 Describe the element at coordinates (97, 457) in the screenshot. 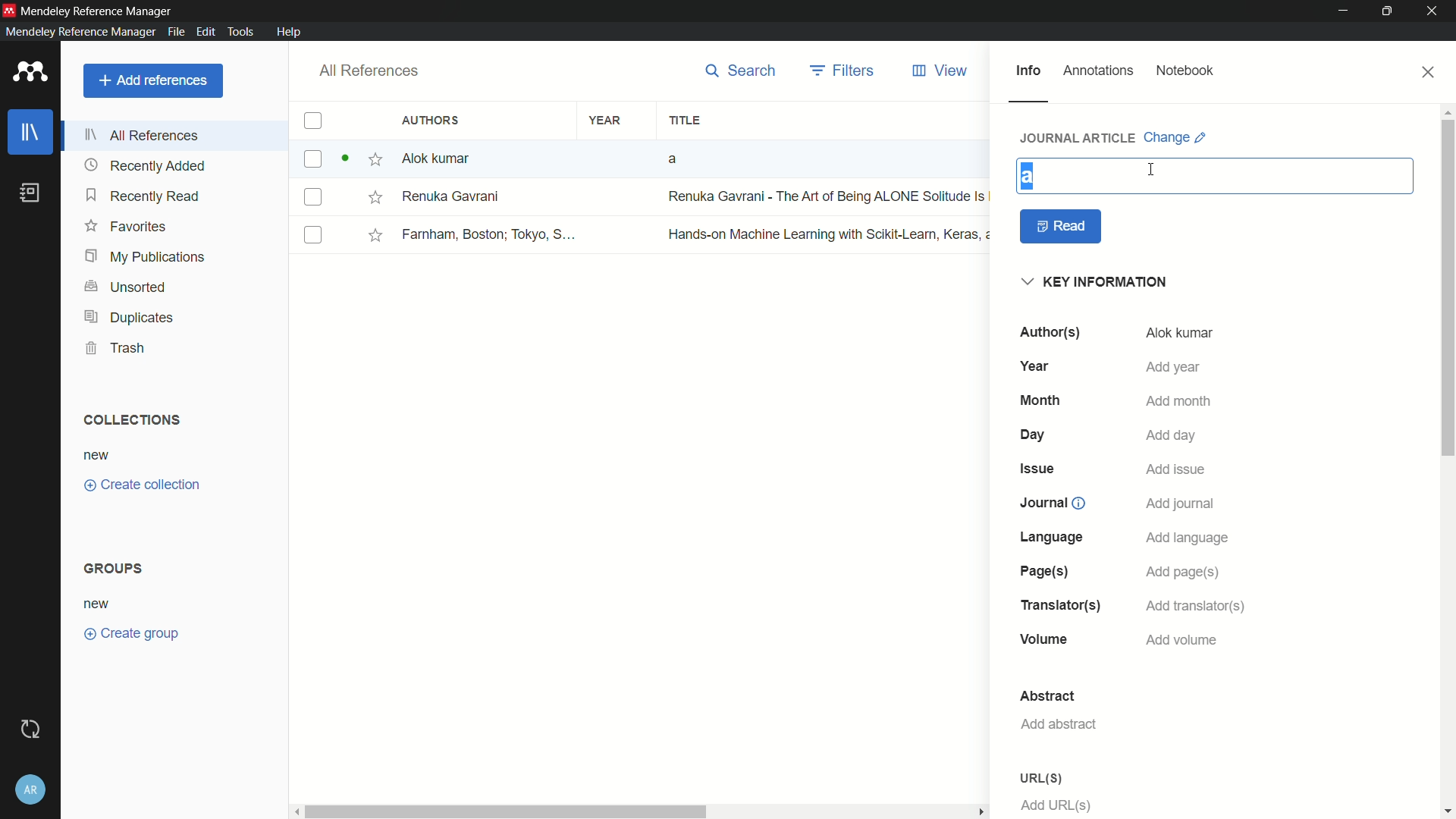

I see `new` at that location.